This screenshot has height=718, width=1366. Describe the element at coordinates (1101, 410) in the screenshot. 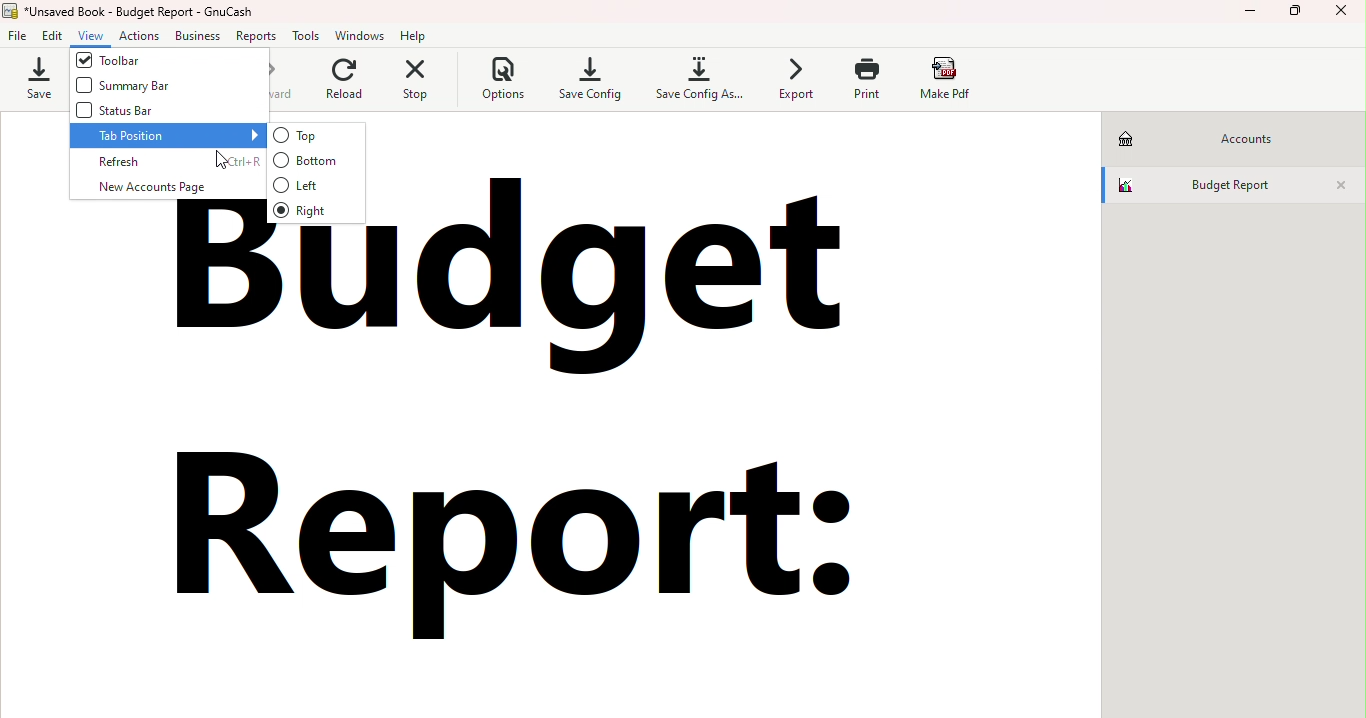

I see `scroll bar` at that location.